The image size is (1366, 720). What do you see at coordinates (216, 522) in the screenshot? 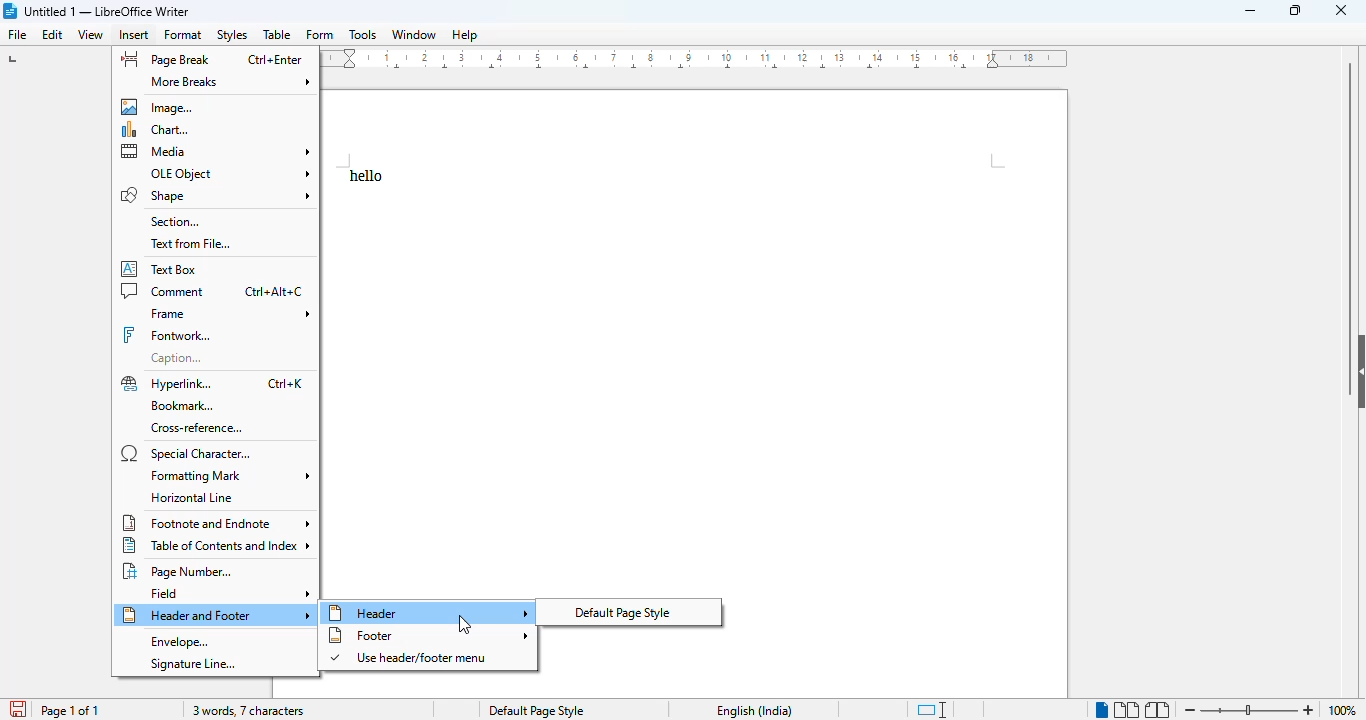
I see `footnote and endnote` at bounding box center [216, 522].